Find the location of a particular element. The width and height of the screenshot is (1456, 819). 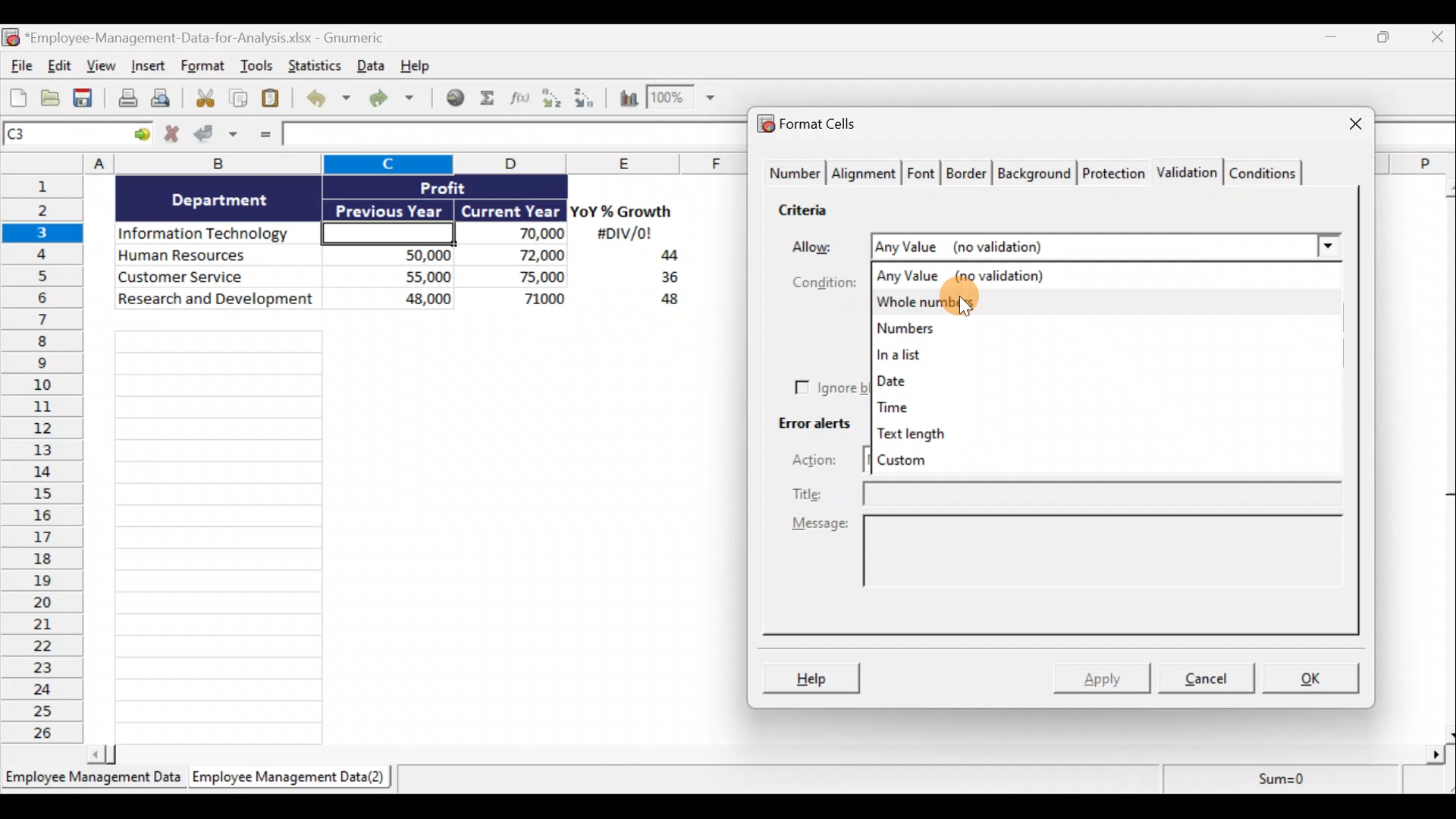

Data is located at coordinates (369, 65).